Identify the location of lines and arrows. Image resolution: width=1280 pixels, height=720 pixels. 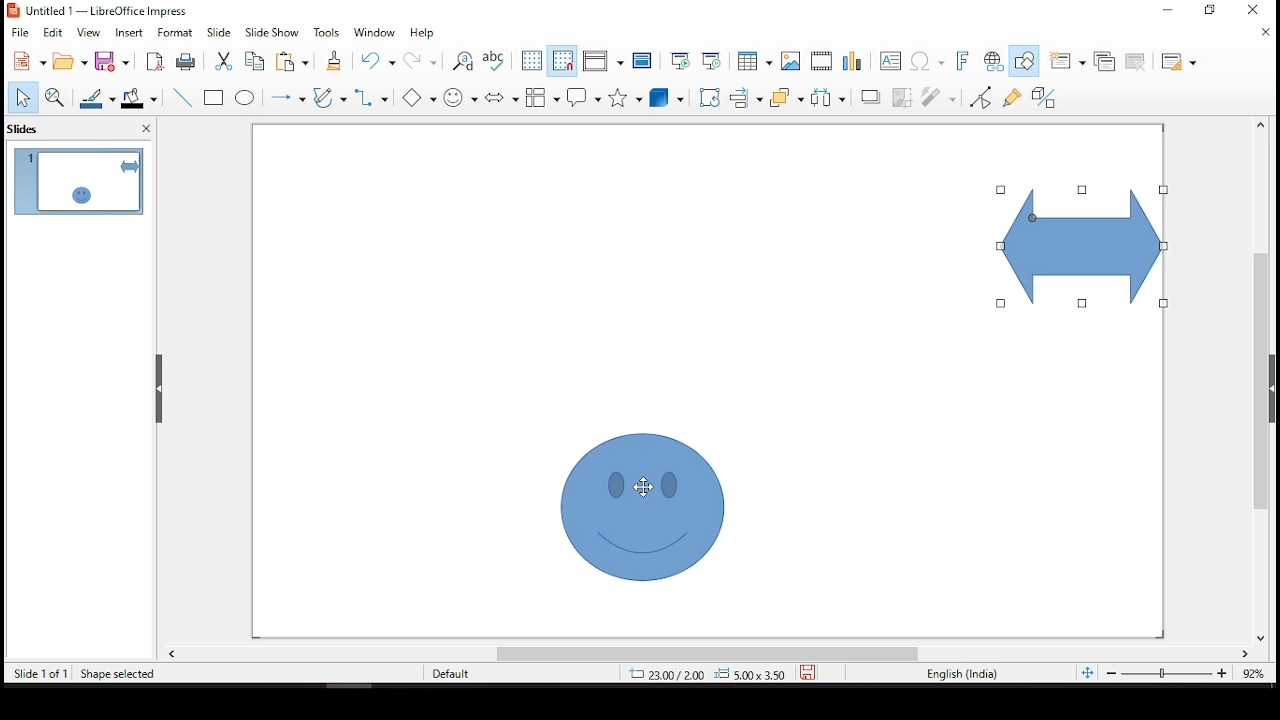
(291, 97).